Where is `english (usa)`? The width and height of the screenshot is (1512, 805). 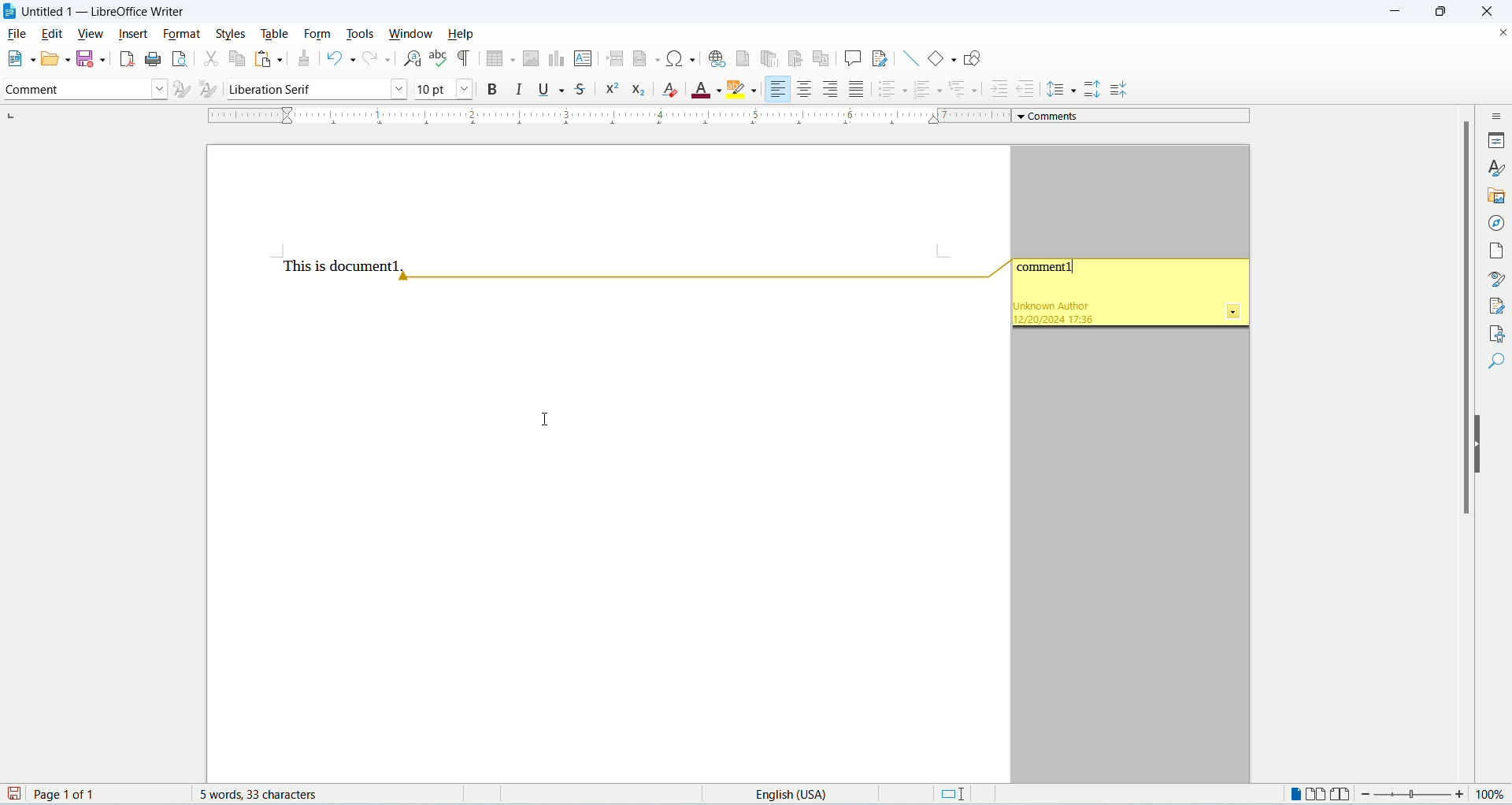
english (usa) is located at coordinates (797, 795).